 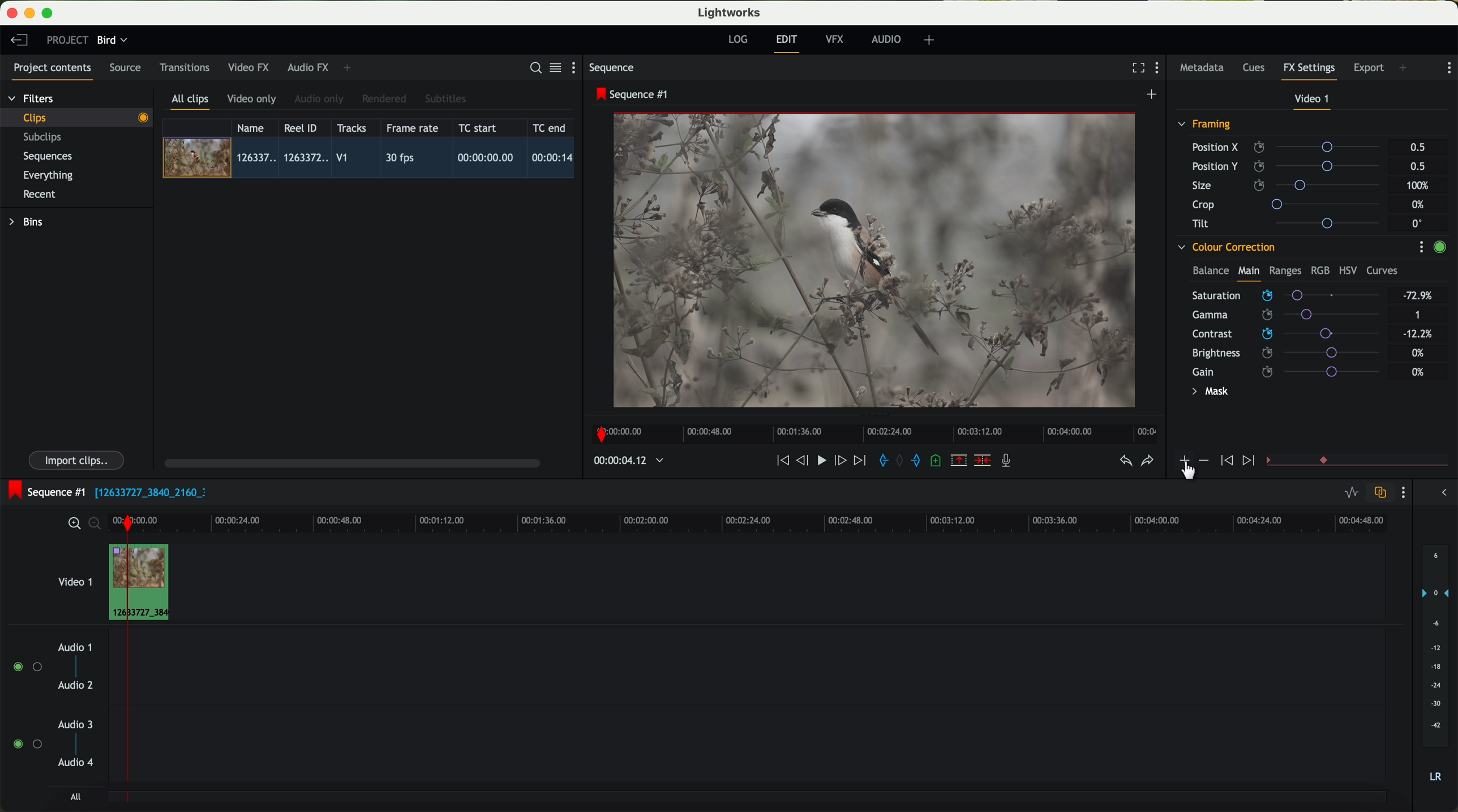 What do you see at coordinates (1225, 461) in the screenshot?
I see `icon` at bounding box center [1225, 461].